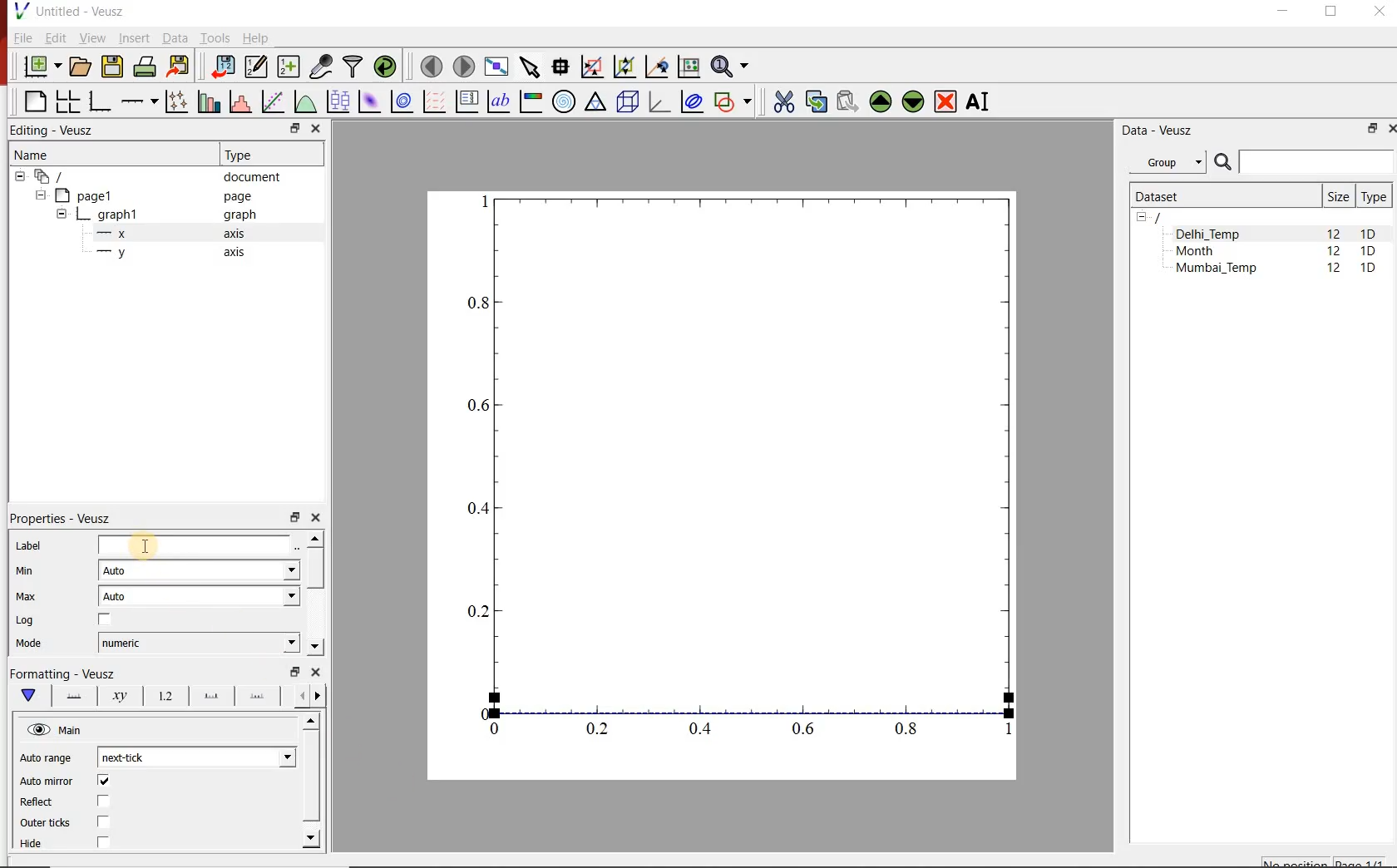 This screenshot has width=1397, height=868. What do you see at coordinates (531, 67) in the screenshot?
I see `select items from the graph or scroll` at bounding box center [531, 67].